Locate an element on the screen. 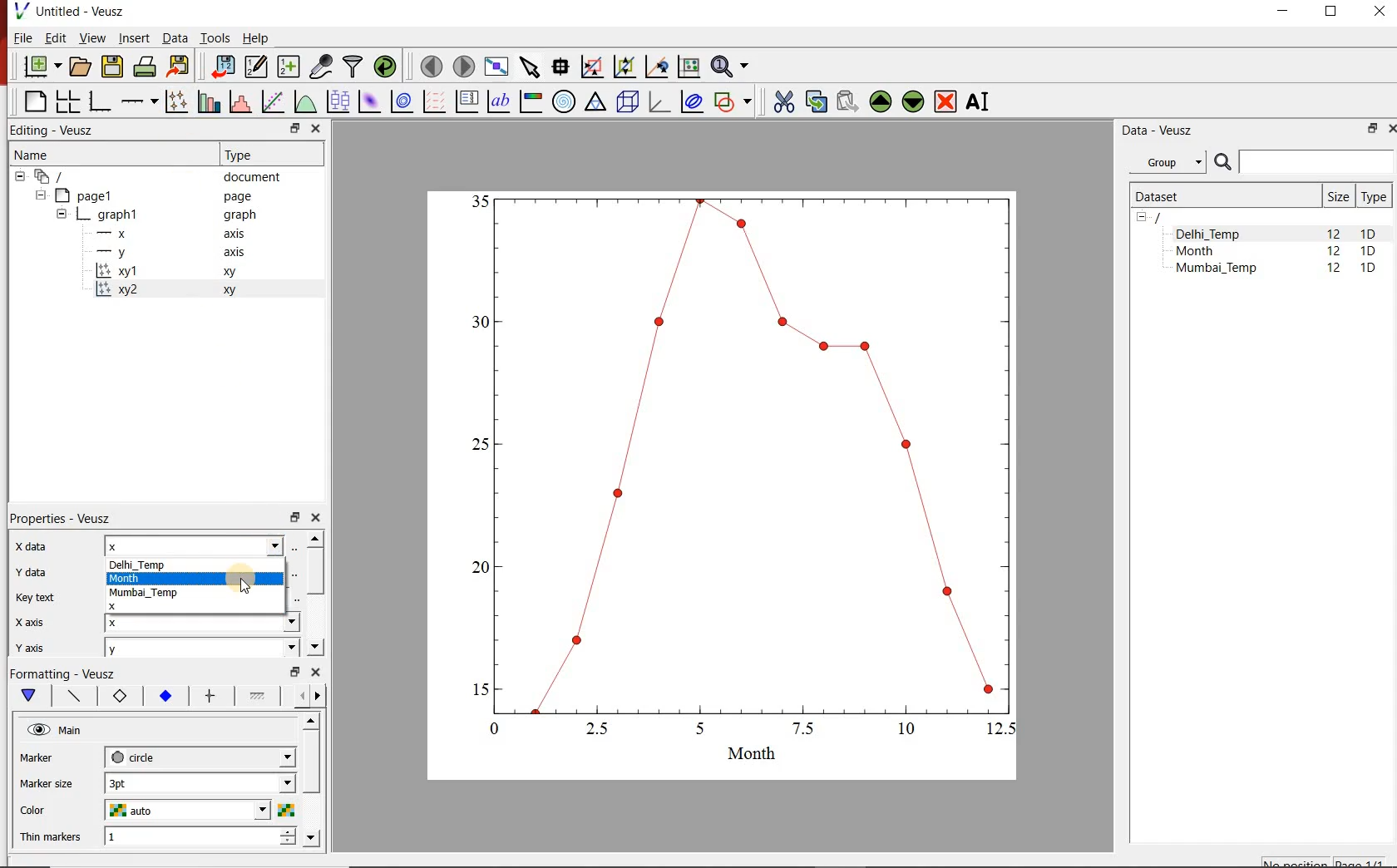  plot key is located at coordinates (466, 102).